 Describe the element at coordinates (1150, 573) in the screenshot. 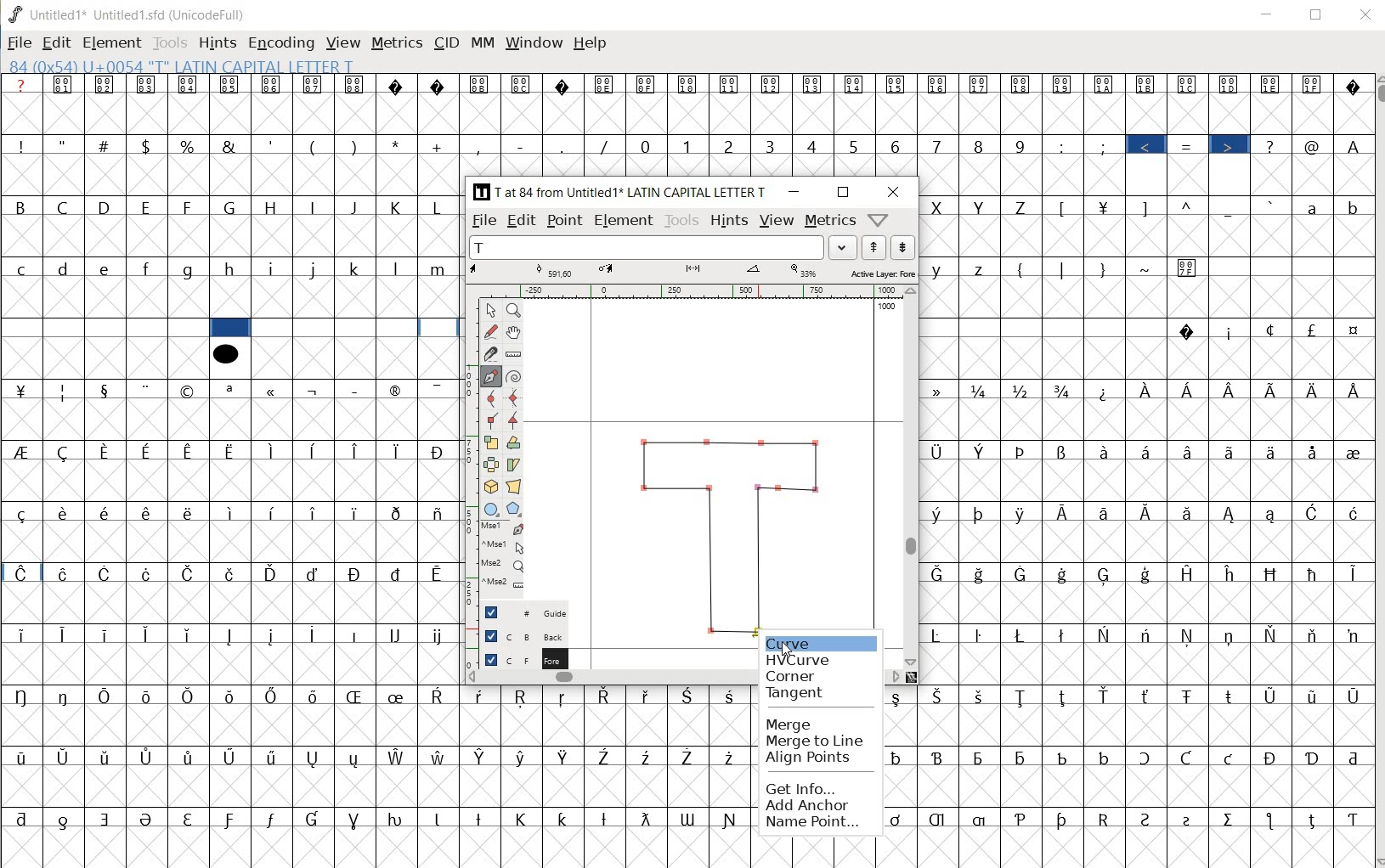

I see `Symbol` at that location.